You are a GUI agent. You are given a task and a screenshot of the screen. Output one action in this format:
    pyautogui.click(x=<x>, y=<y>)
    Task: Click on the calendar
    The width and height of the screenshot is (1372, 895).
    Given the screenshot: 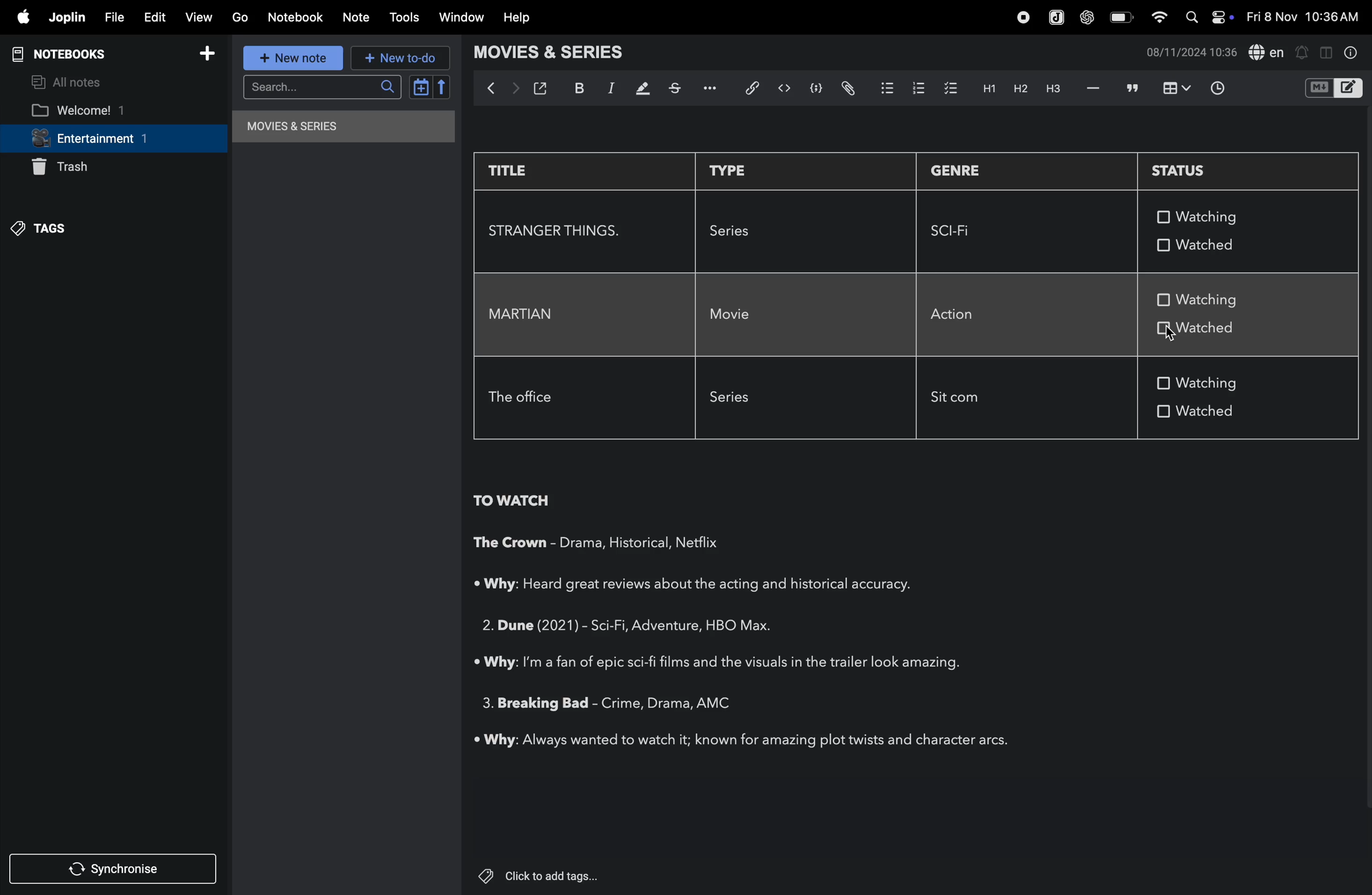 What is the action you would take?
    pyautogui.click(x=427, y=87)
    